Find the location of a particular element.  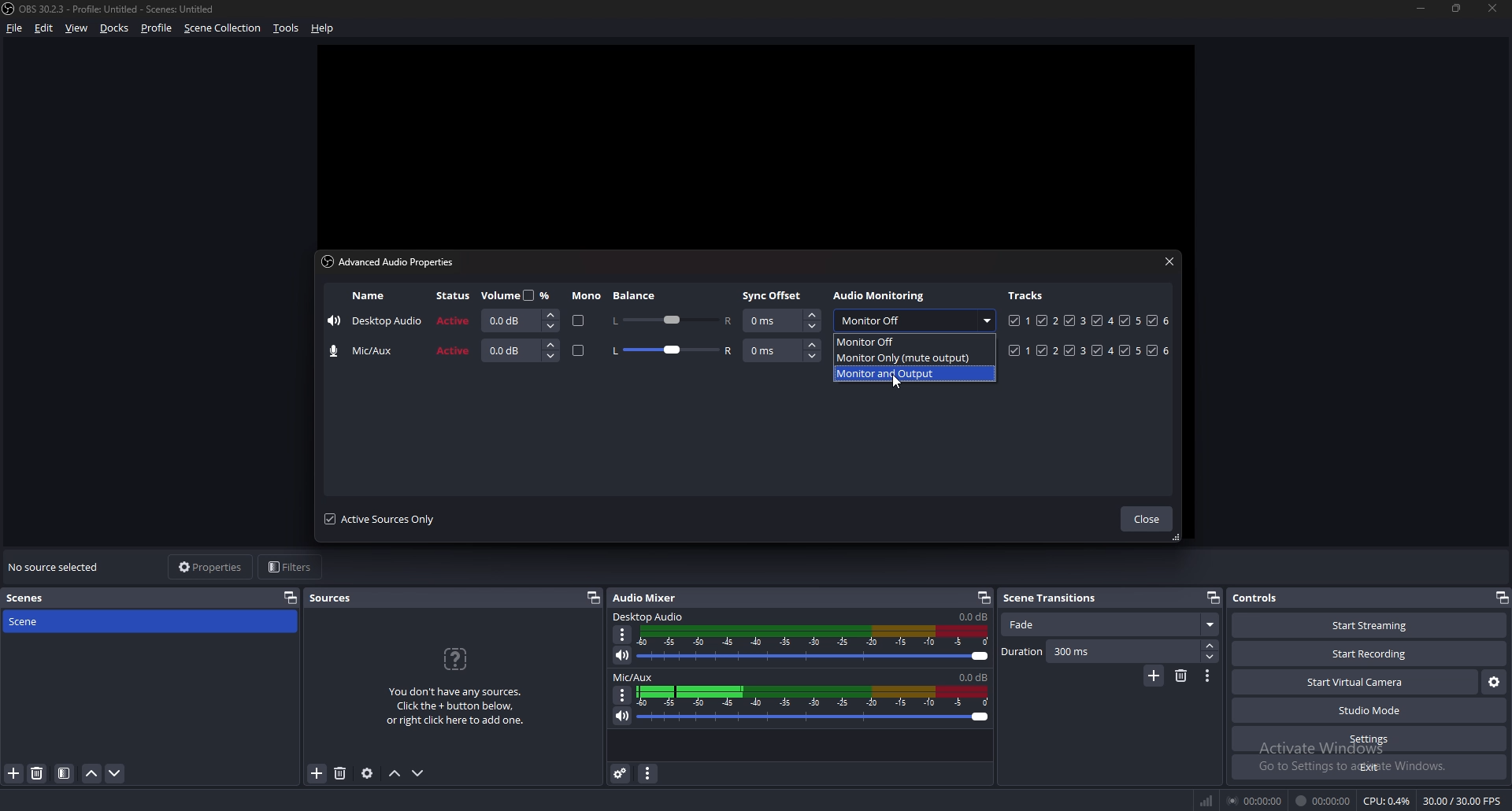

delete scene is located at coordinates (1183, 676).